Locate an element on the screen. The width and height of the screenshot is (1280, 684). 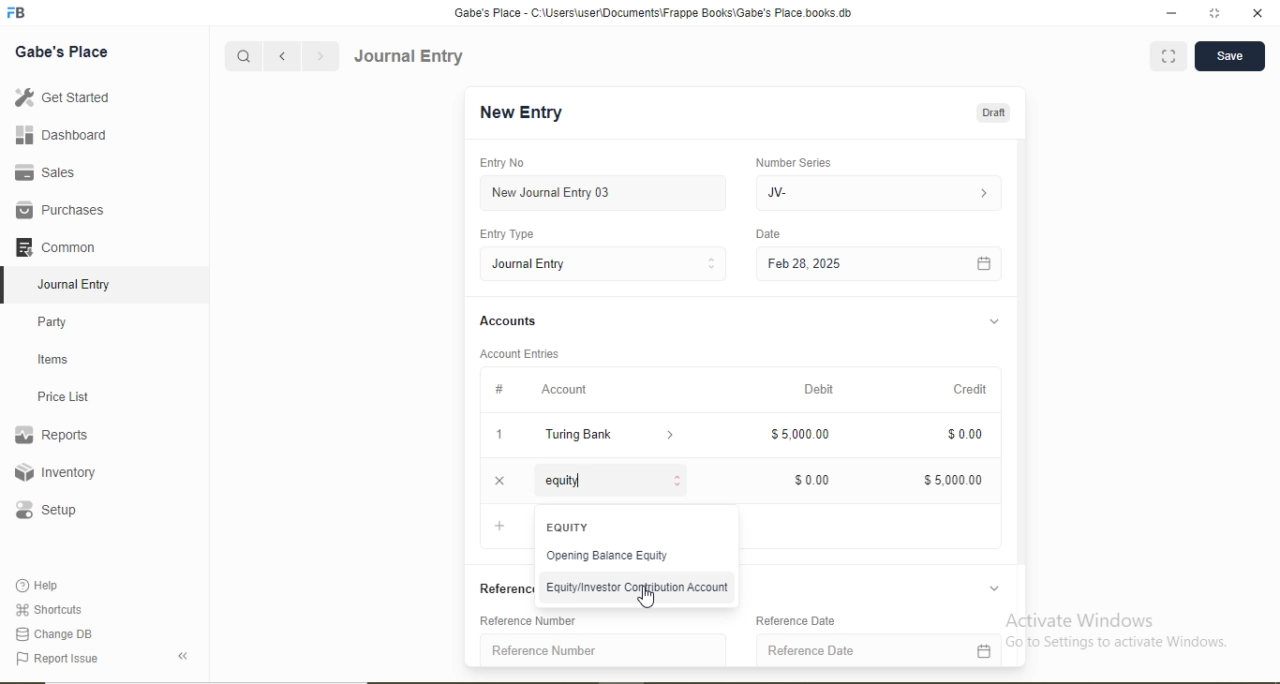
Add is located at coordinates (500, 526).